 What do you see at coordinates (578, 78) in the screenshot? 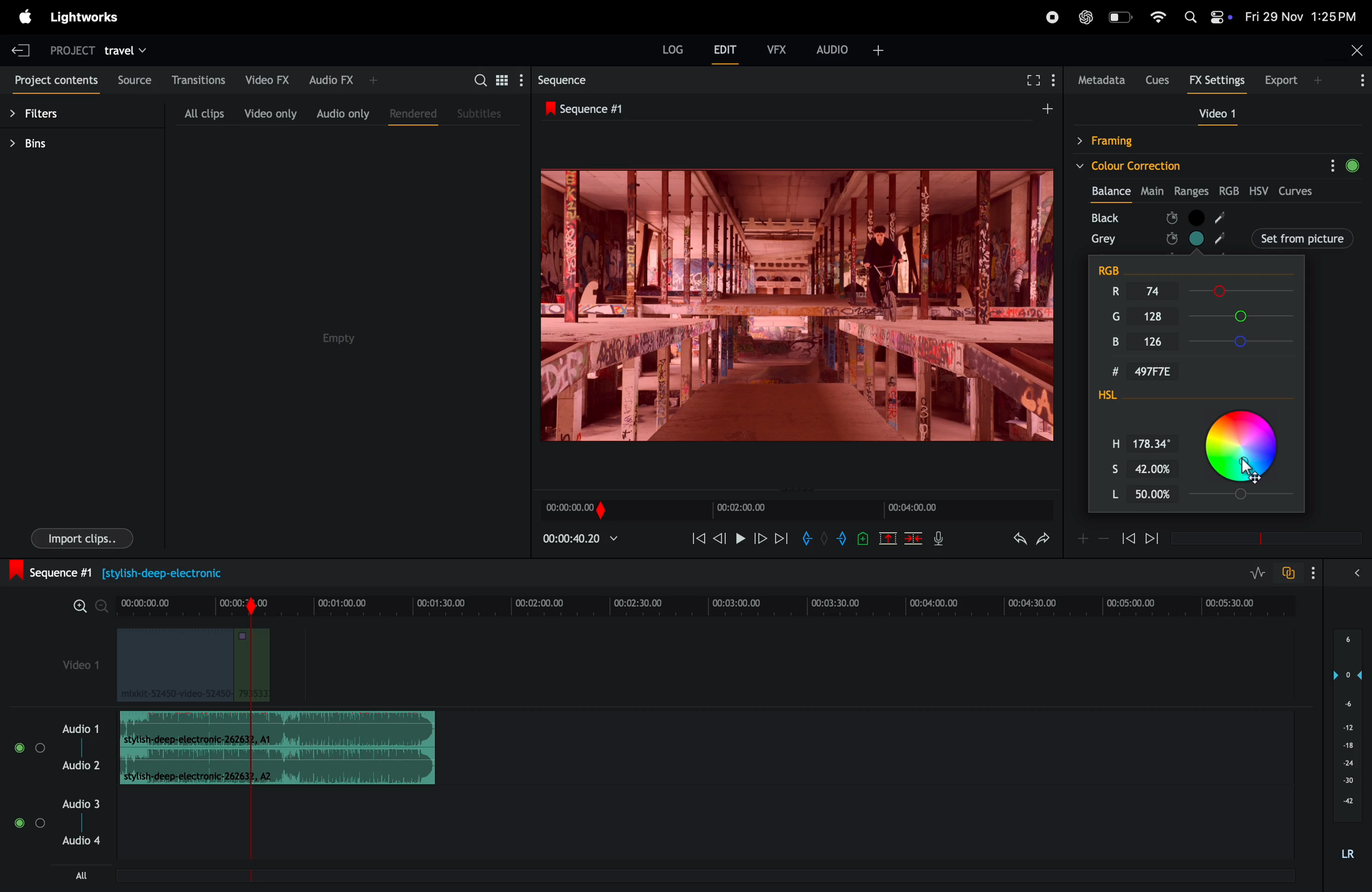
I see `sequence` at bounding box center [578, 78].